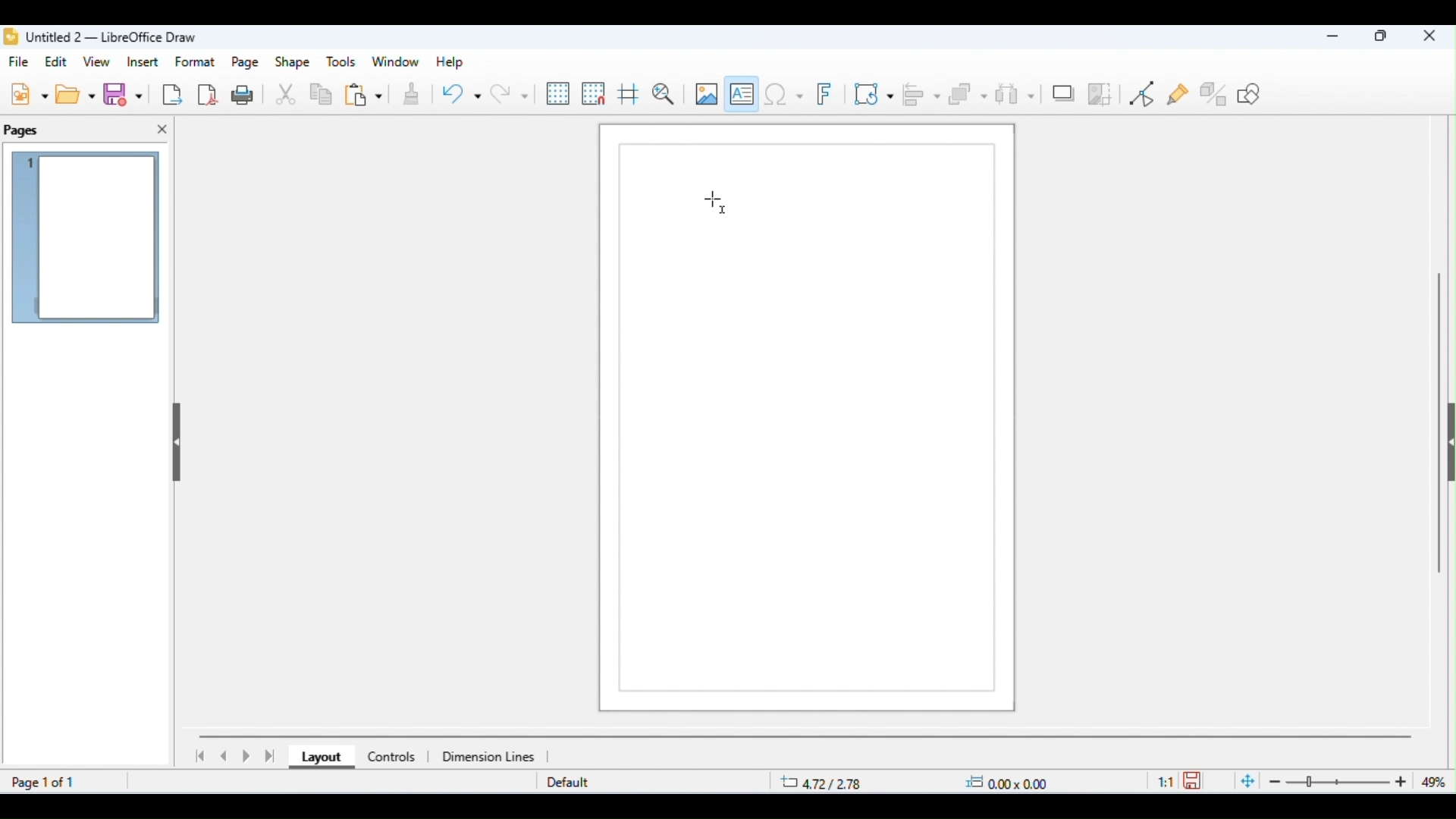  What do you see at coordinates (1195, 780) in the screenshot?
I see `save` at bounding box center [1195, 780].